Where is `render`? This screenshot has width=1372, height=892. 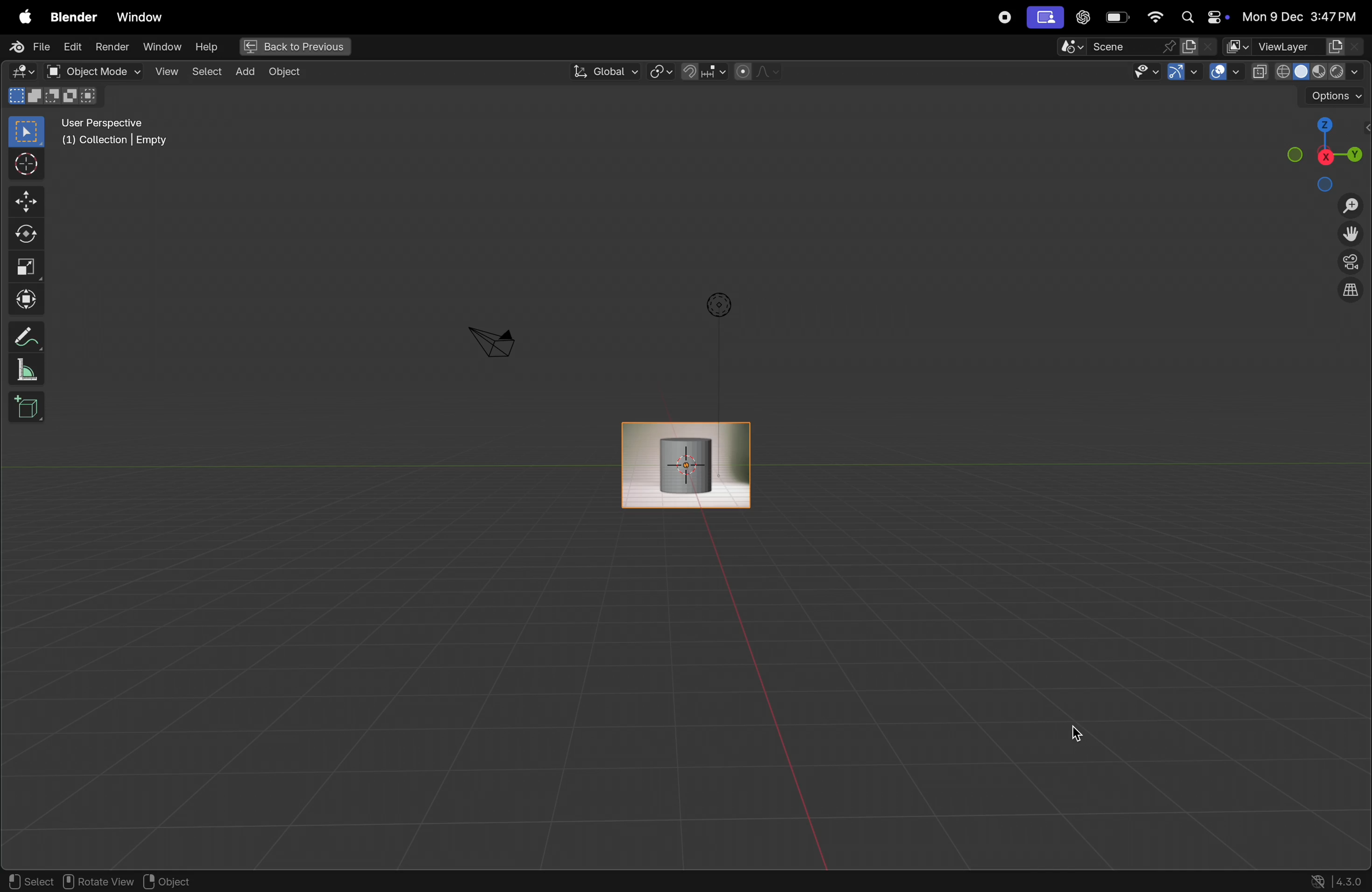 render is located at coordinates (112, 48).